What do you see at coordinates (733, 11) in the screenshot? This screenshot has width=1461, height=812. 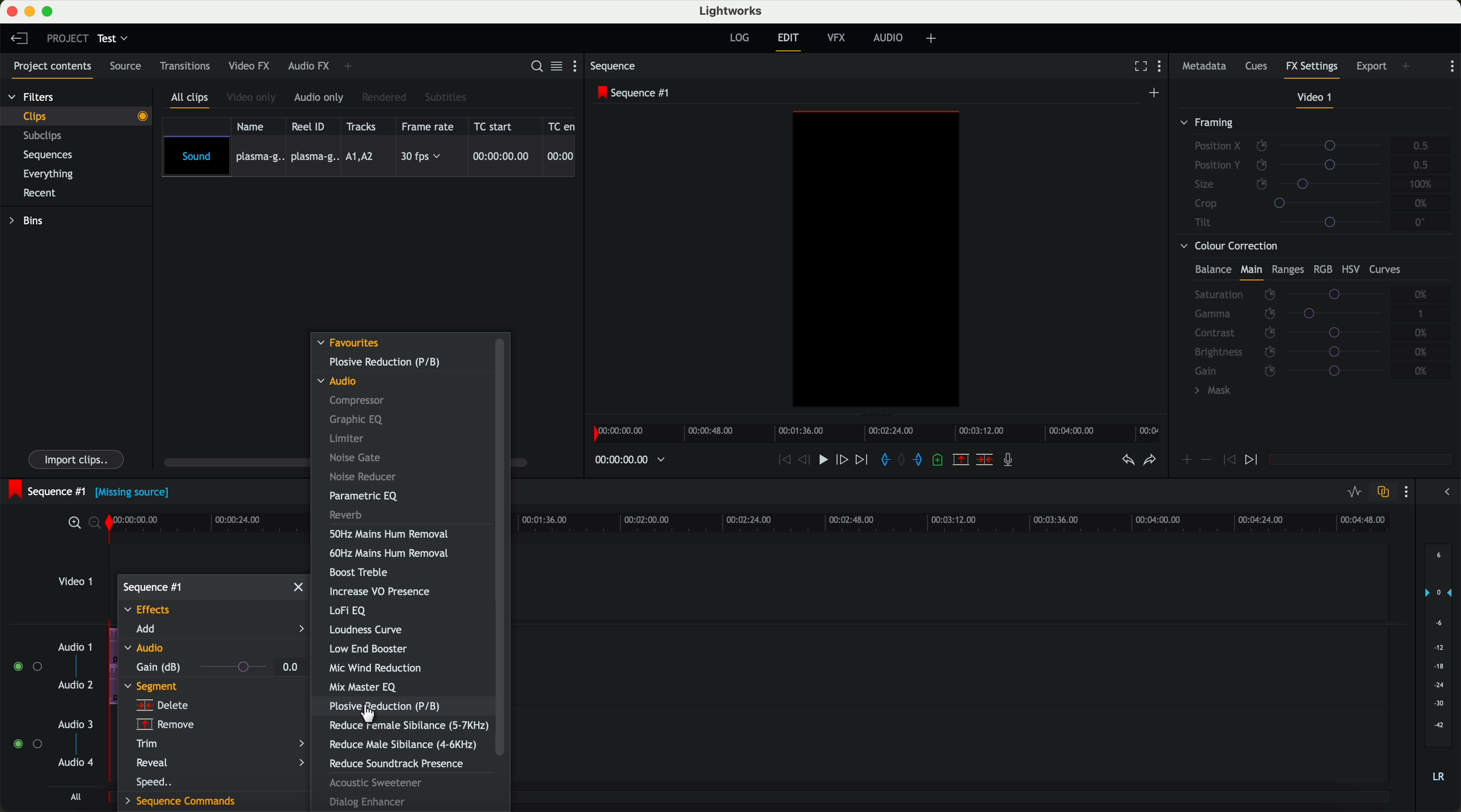 I see `lightworks` at bounding box center [733, 11].